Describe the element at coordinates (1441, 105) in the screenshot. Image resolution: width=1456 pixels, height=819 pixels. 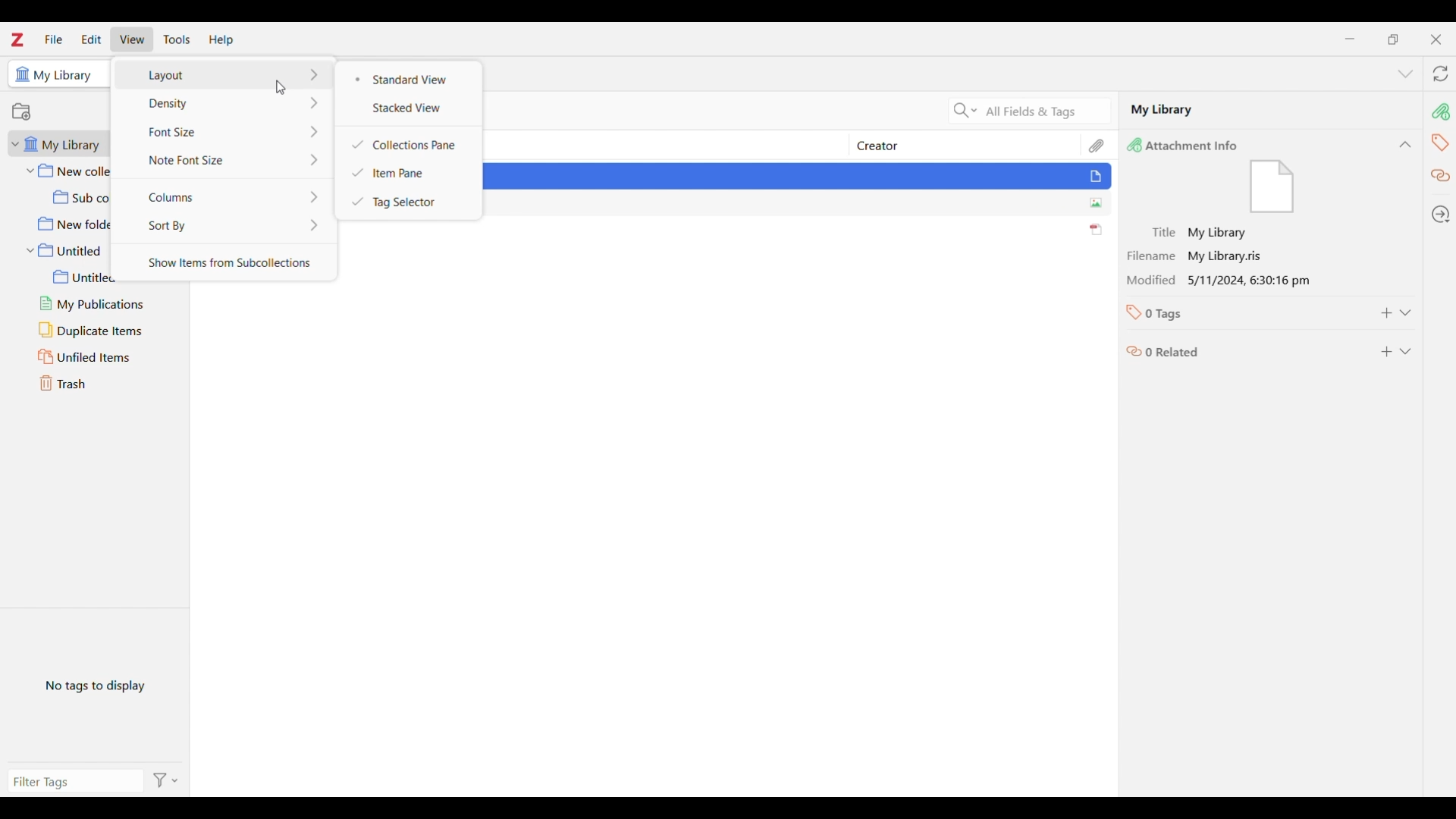
I see `Attachments` at that location.